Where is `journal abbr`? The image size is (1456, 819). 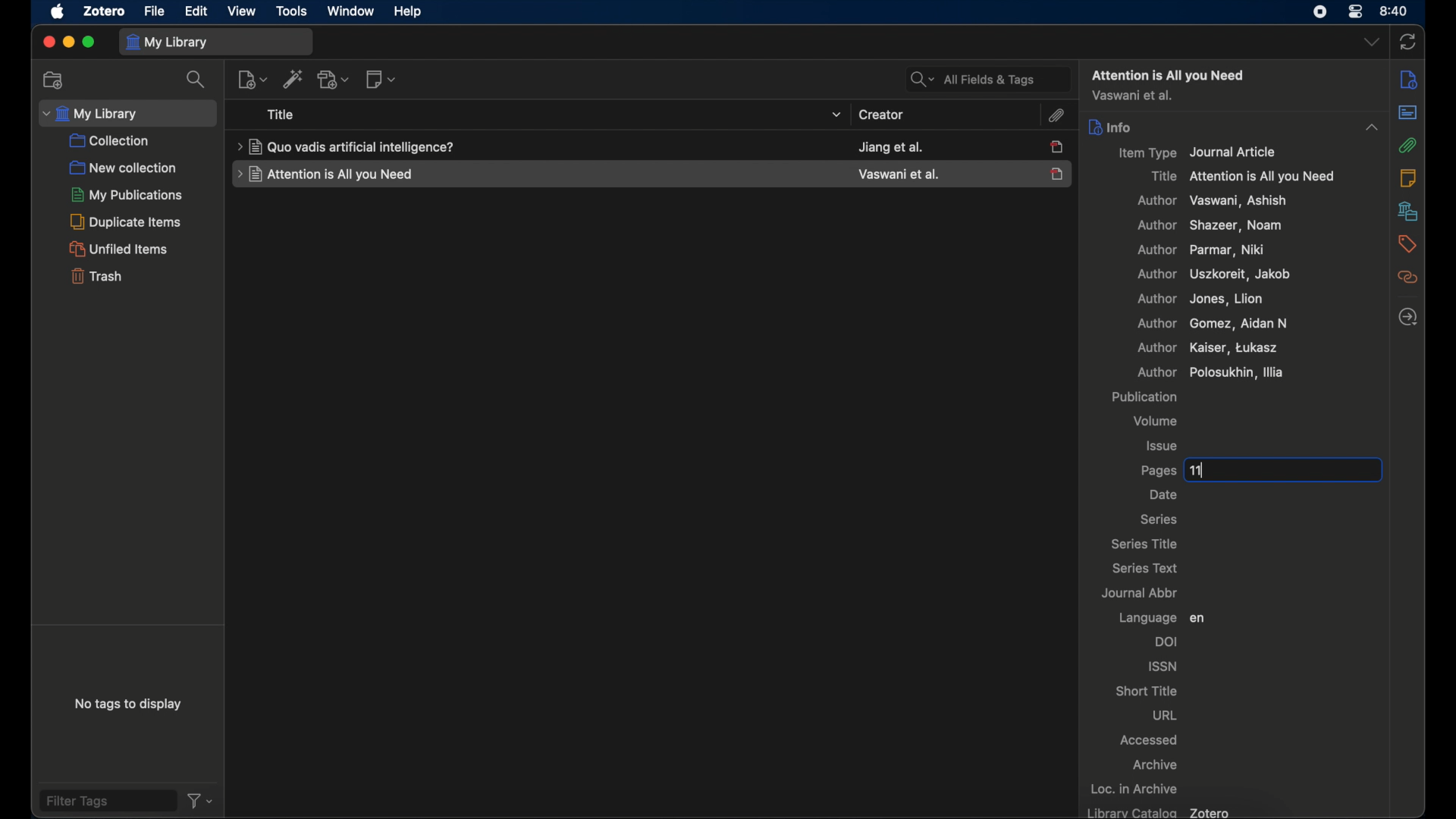
journal abbr is located at coordinates (1141, 591).